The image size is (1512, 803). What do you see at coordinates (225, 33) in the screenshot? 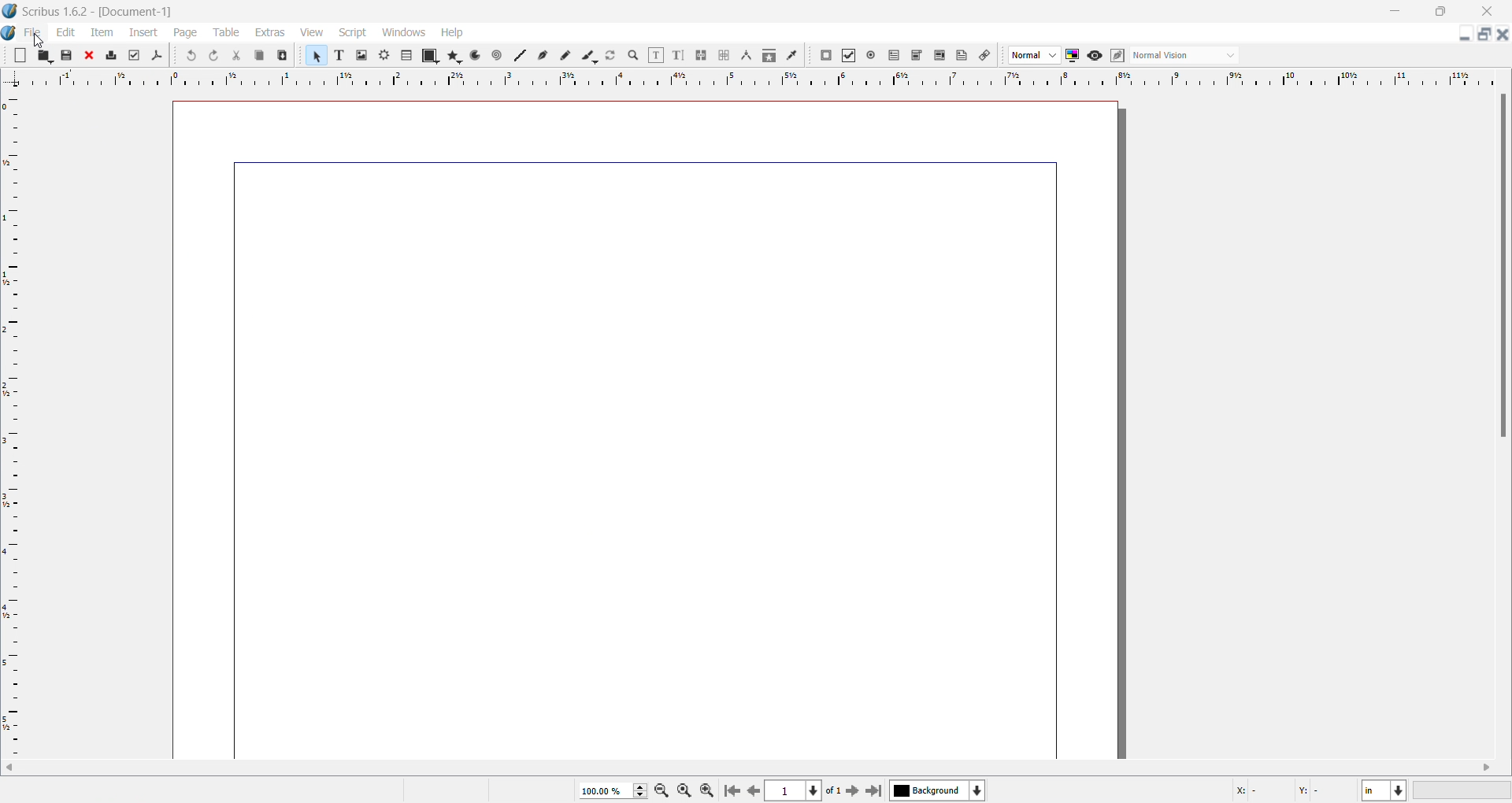
I see `Table` at bounding box center [225, 33].